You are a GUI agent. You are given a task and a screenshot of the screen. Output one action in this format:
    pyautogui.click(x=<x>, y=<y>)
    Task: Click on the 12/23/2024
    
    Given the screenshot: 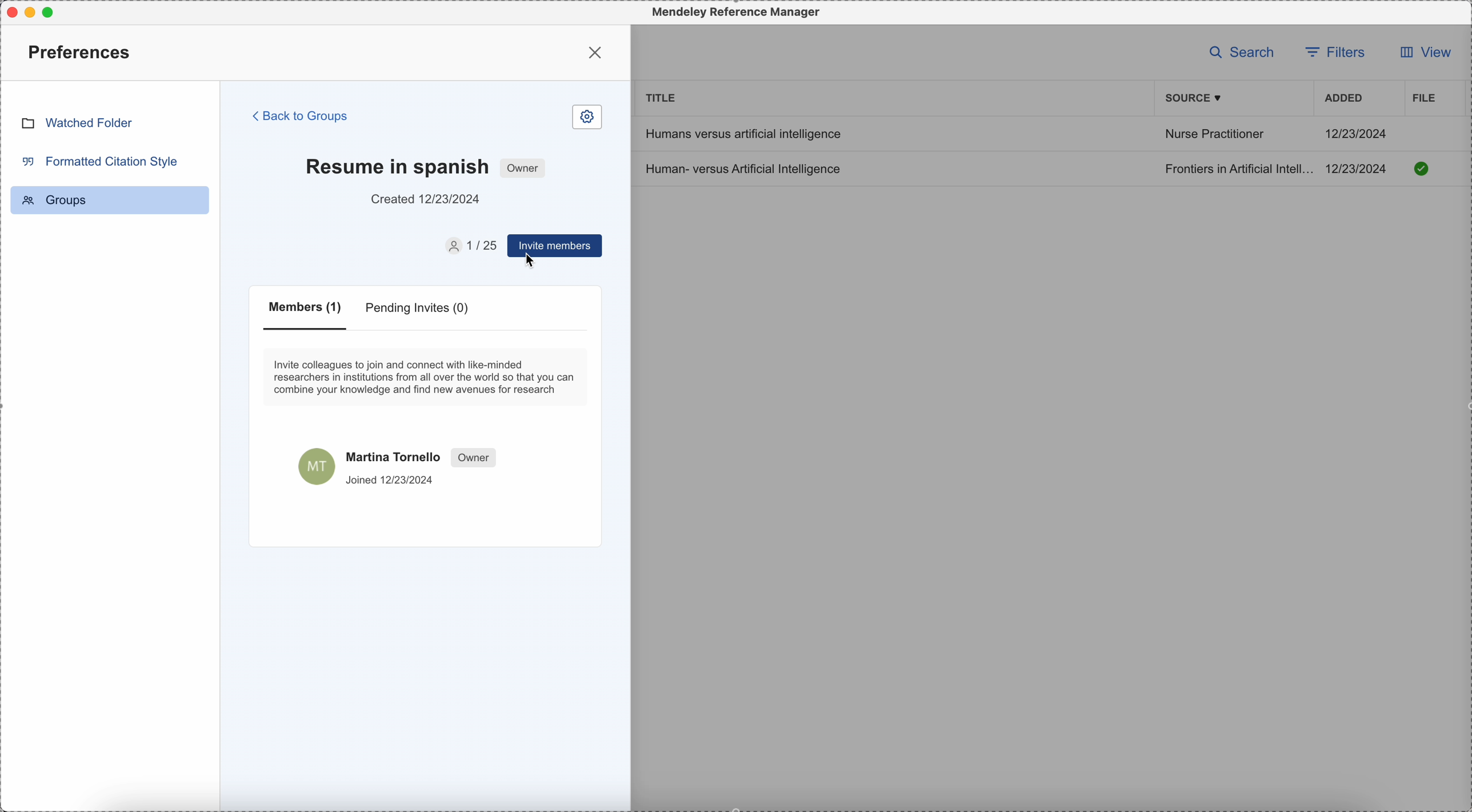 What is the action you would take?
    pyautogui.click(x=1357, y=133)
    